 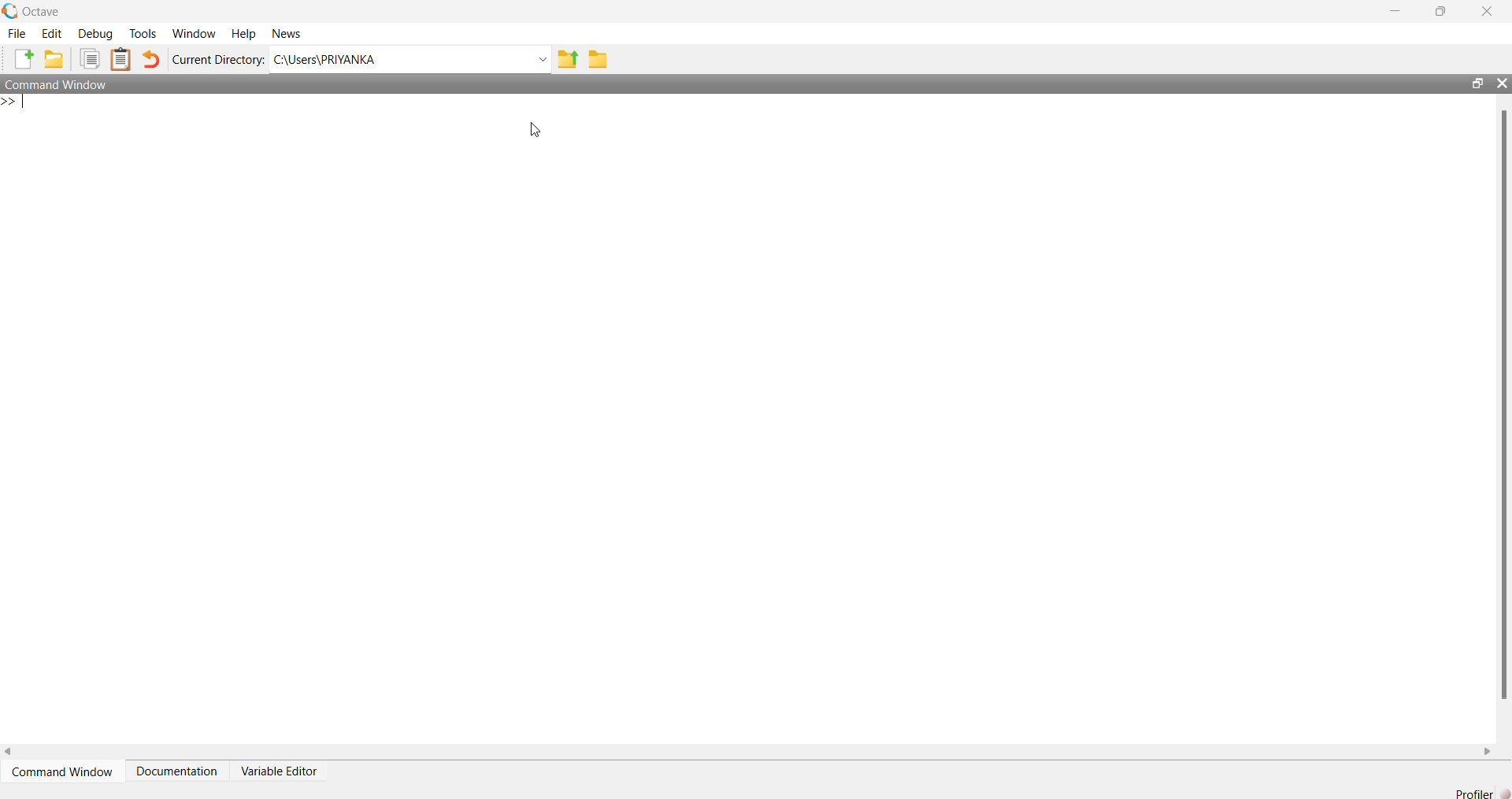 I want to click on add, so click(x=24, y=59).